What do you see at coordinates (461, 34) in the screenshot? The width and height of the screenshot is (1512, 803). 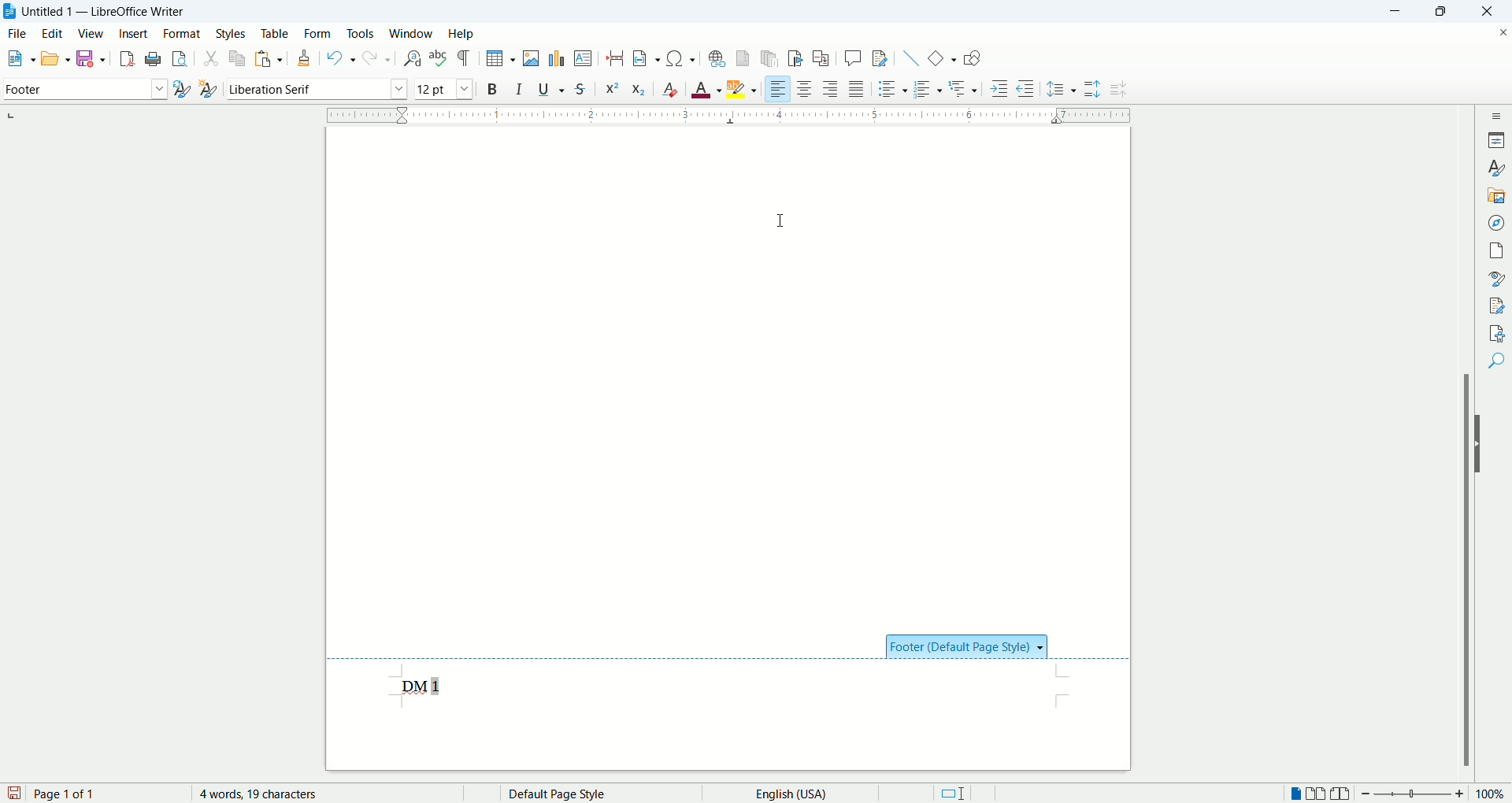 I see `help` at bounding box center [461, 34].